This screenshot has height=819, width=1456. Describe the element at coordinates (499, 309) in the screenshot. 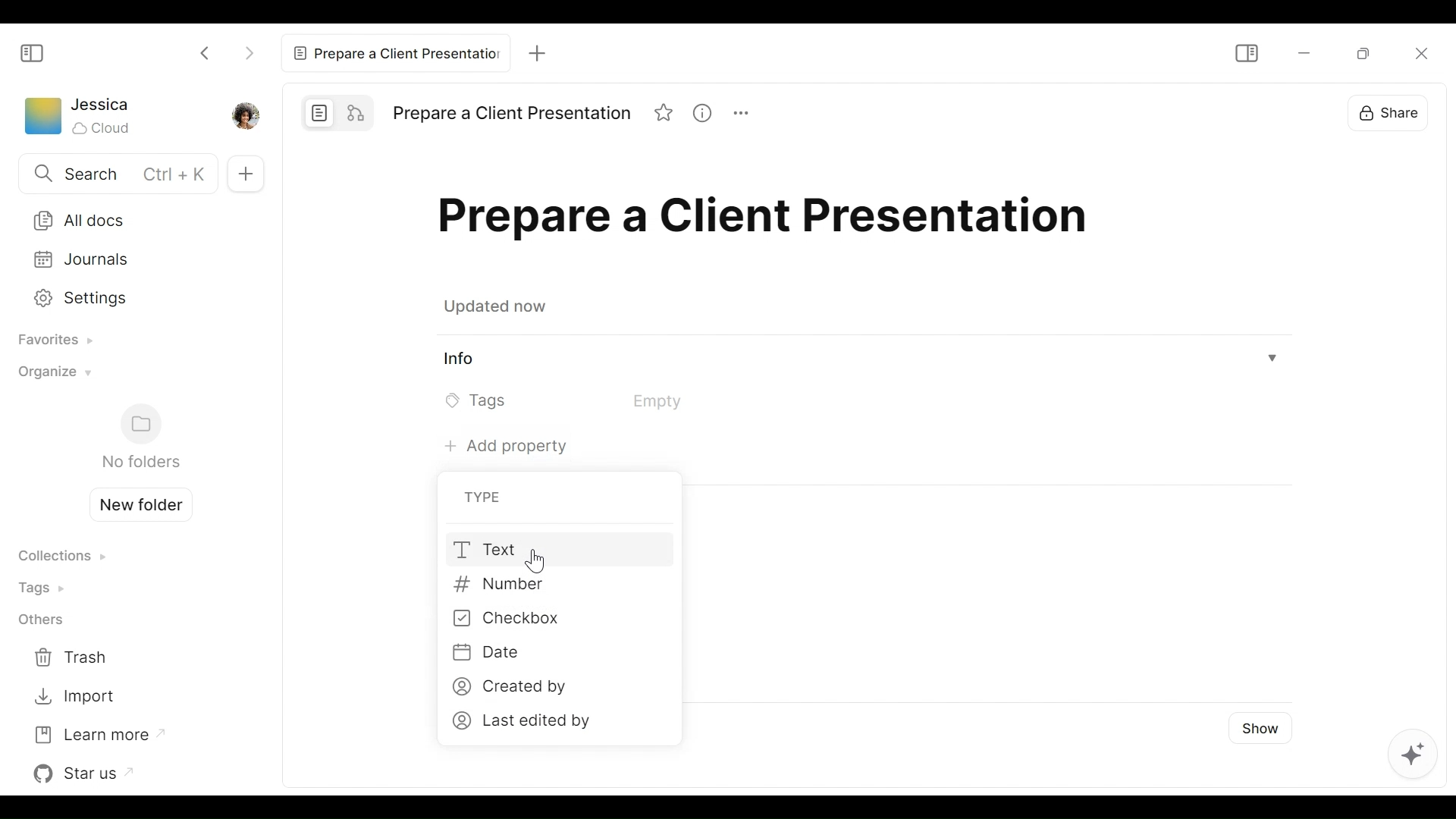

I see `Updated now` at that location.